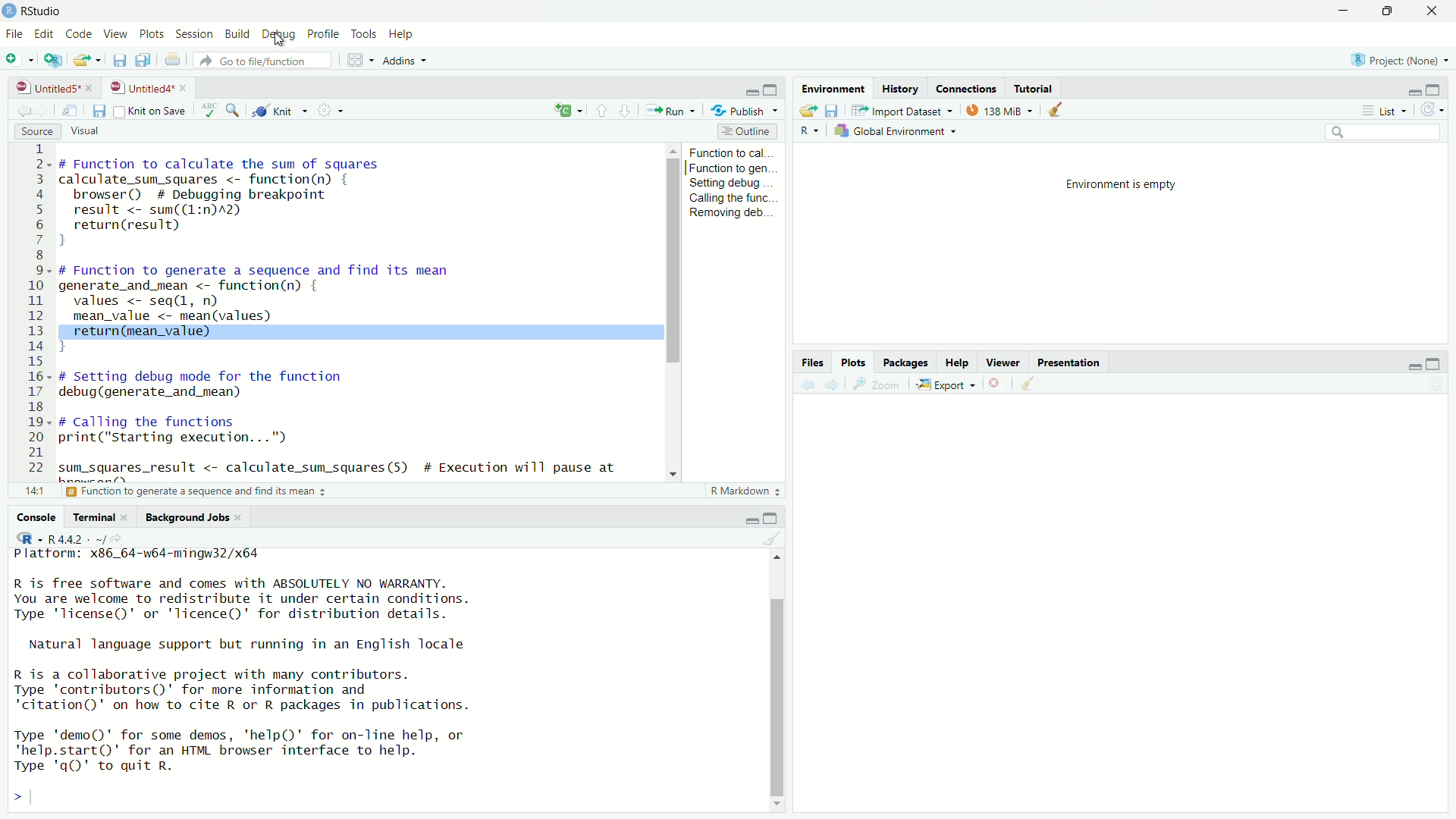 This screenshot has height=819, width=1456. Describe the element at coordinates (406, 58) in the screenshot. I see `addins` at that location.